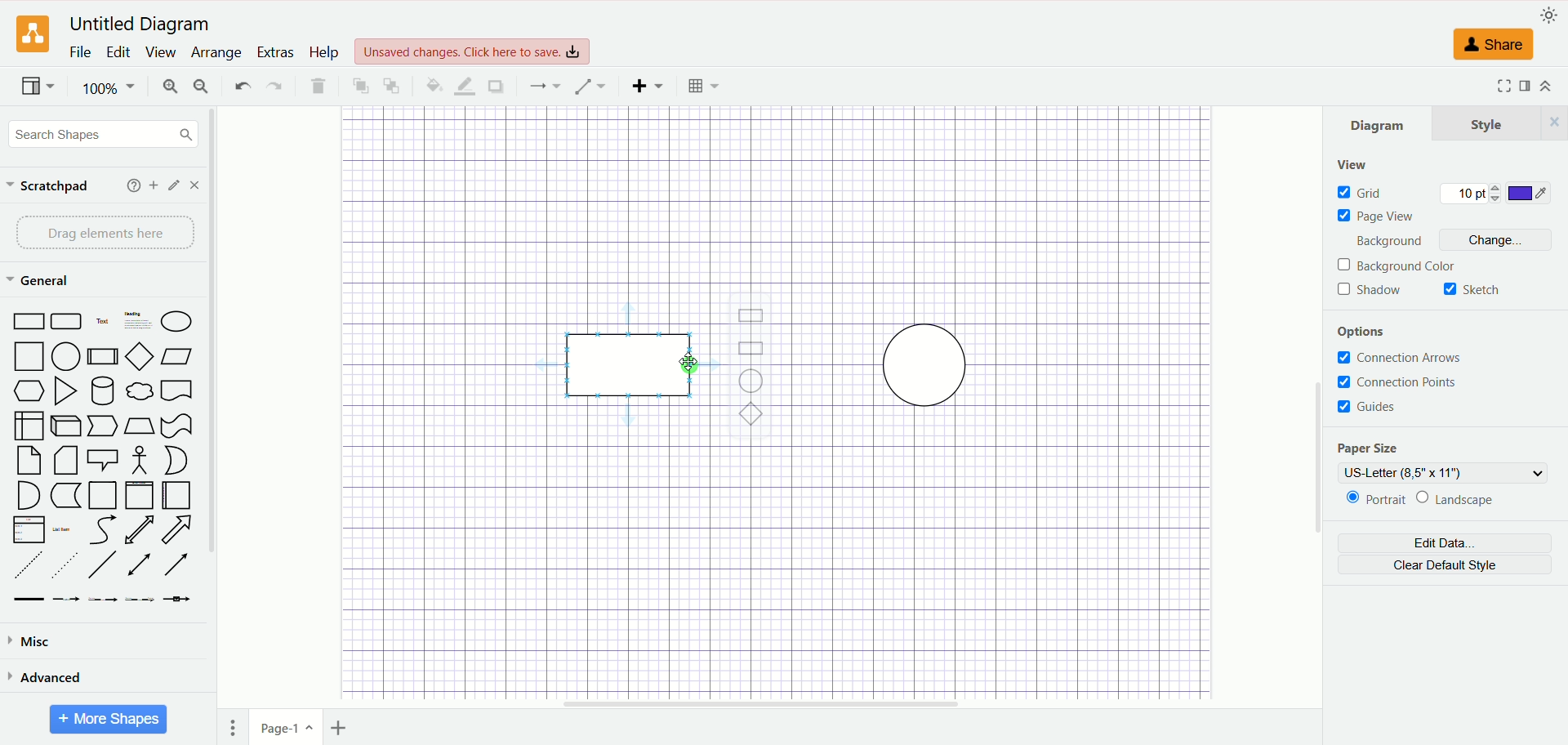 The width and height of the screenshot is (1568, 745). I want to click on edit, so click(174, 185).